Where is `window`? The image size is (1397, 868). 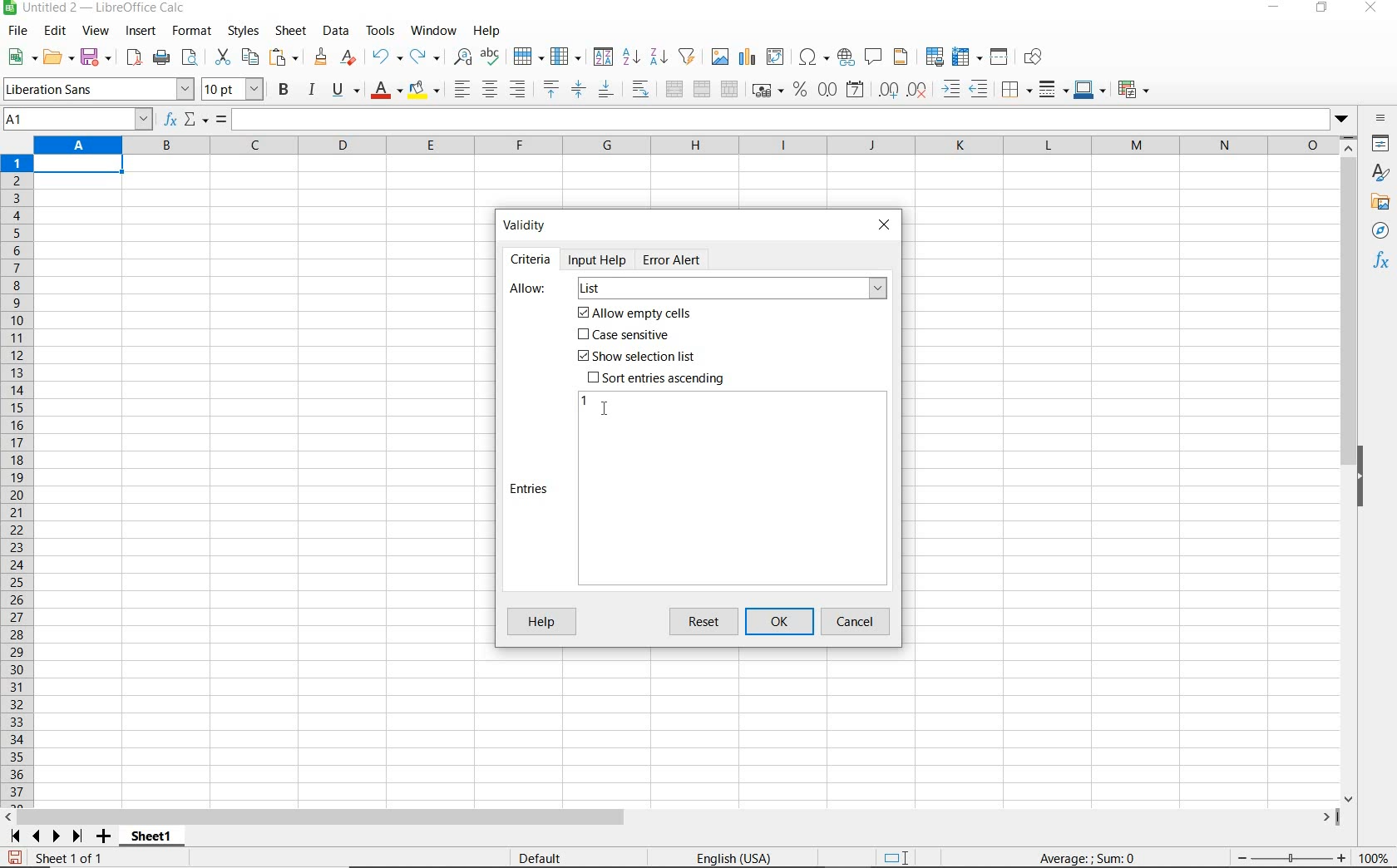 window is located at coordinates (433, 28).